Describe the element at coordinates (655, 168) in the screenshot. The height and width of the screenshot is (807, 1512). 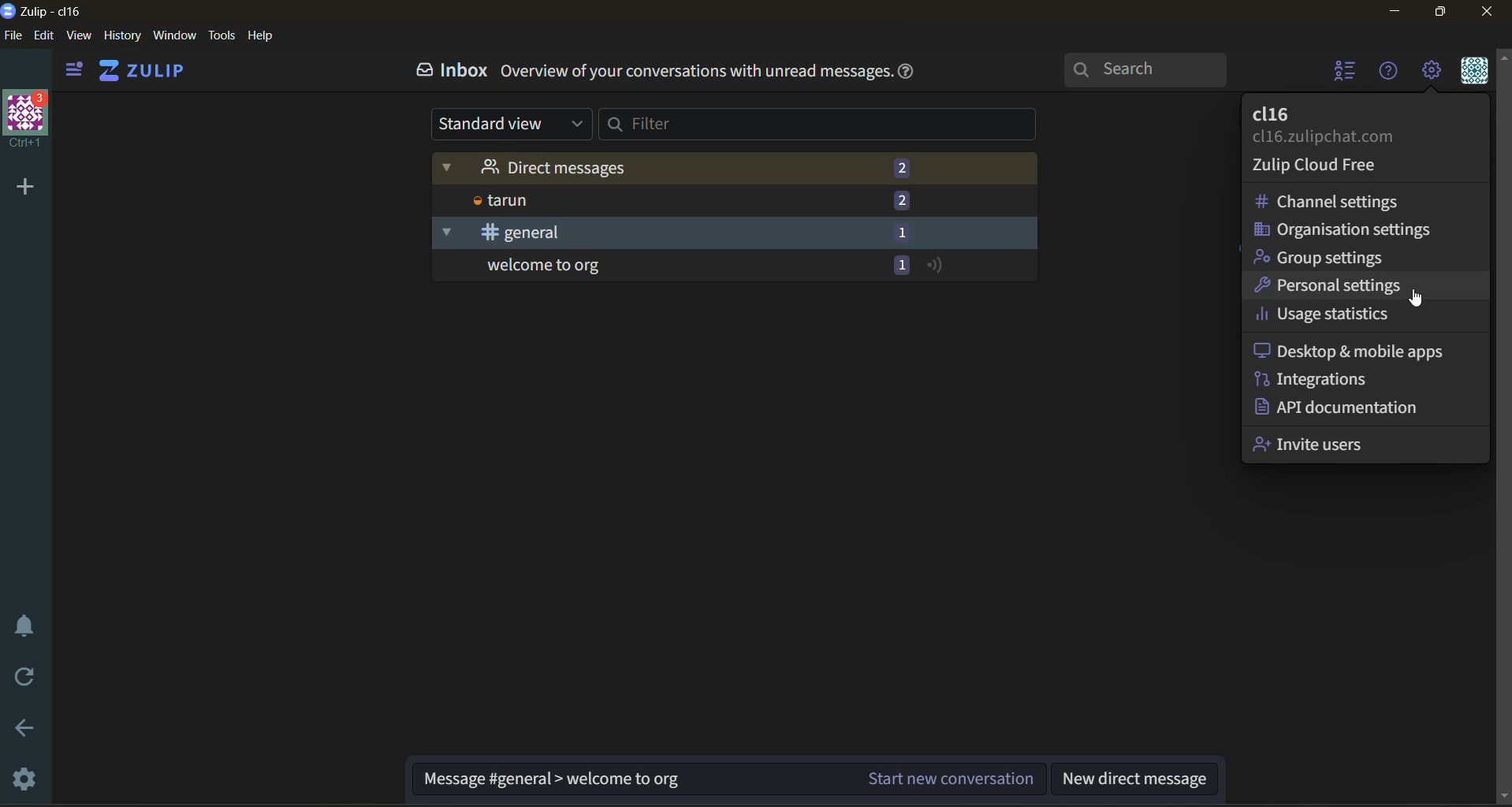
I see `direct messages` at that location.